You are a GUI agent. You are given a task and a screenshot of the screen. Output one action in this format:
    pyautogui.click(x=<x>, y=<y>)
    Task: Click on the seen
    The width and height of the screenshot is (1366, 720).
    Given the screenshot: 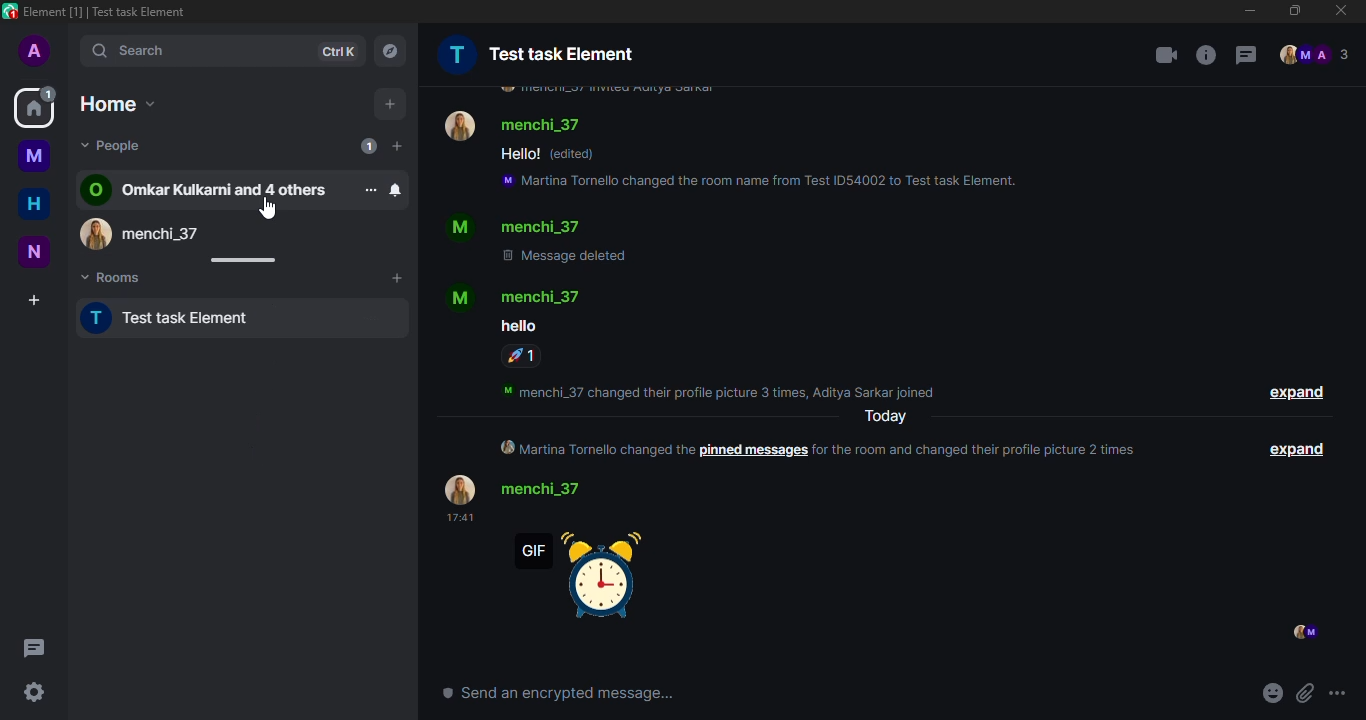 What is the action you would take?
    pyautogui.click(x=1301, y=633)
    